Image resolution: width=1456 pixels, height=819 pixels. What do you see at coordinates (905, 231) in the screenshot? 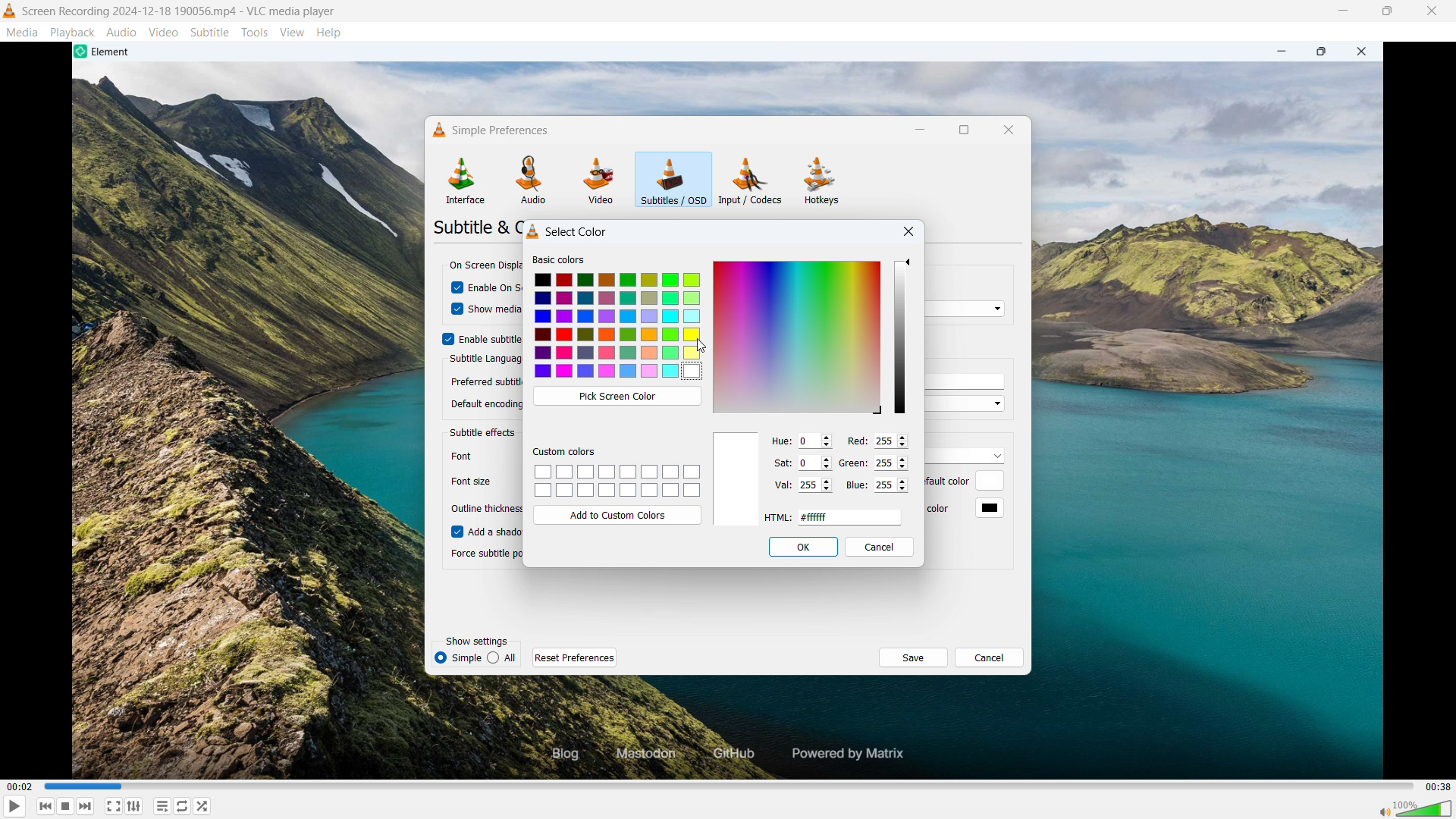
I see `close dialogue box` at bounding box center [905, 231].